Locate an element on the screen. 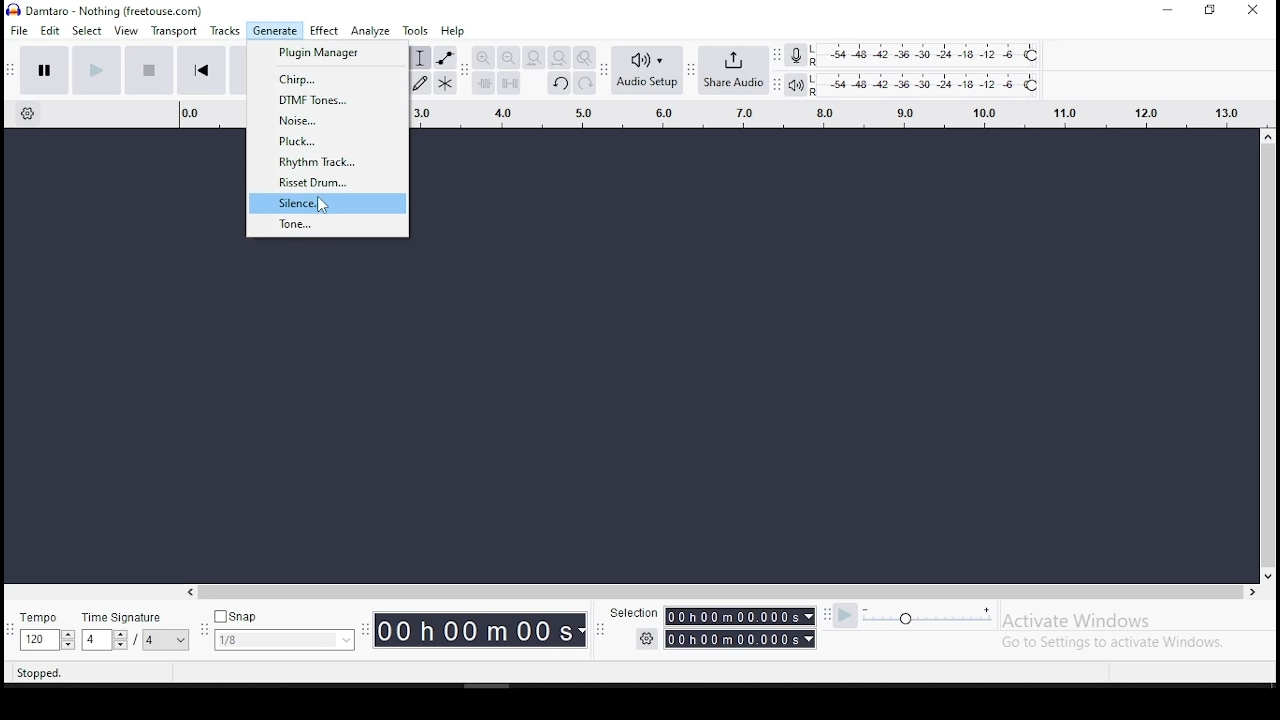  close window is located at coordinates (1255, 10).